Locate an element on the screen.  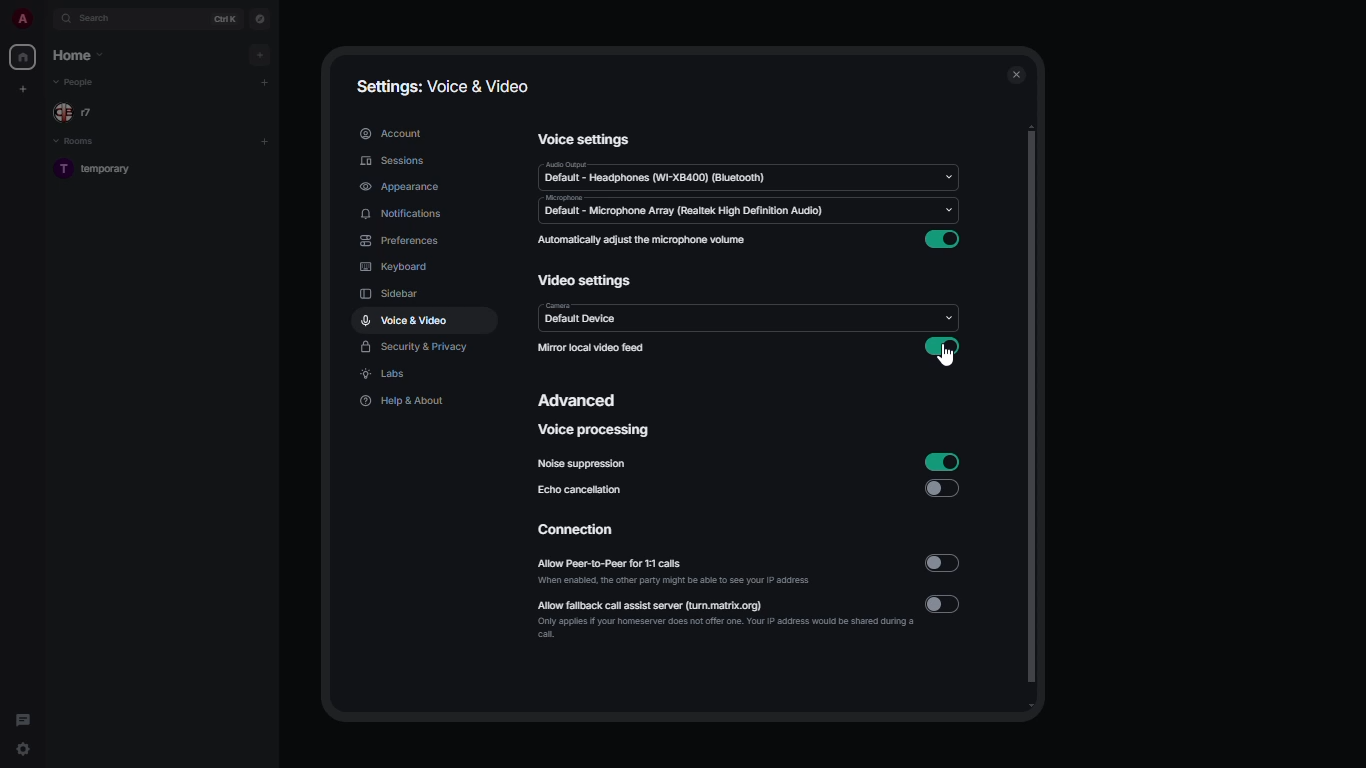
keyboard is located at coordinates (395, 266).